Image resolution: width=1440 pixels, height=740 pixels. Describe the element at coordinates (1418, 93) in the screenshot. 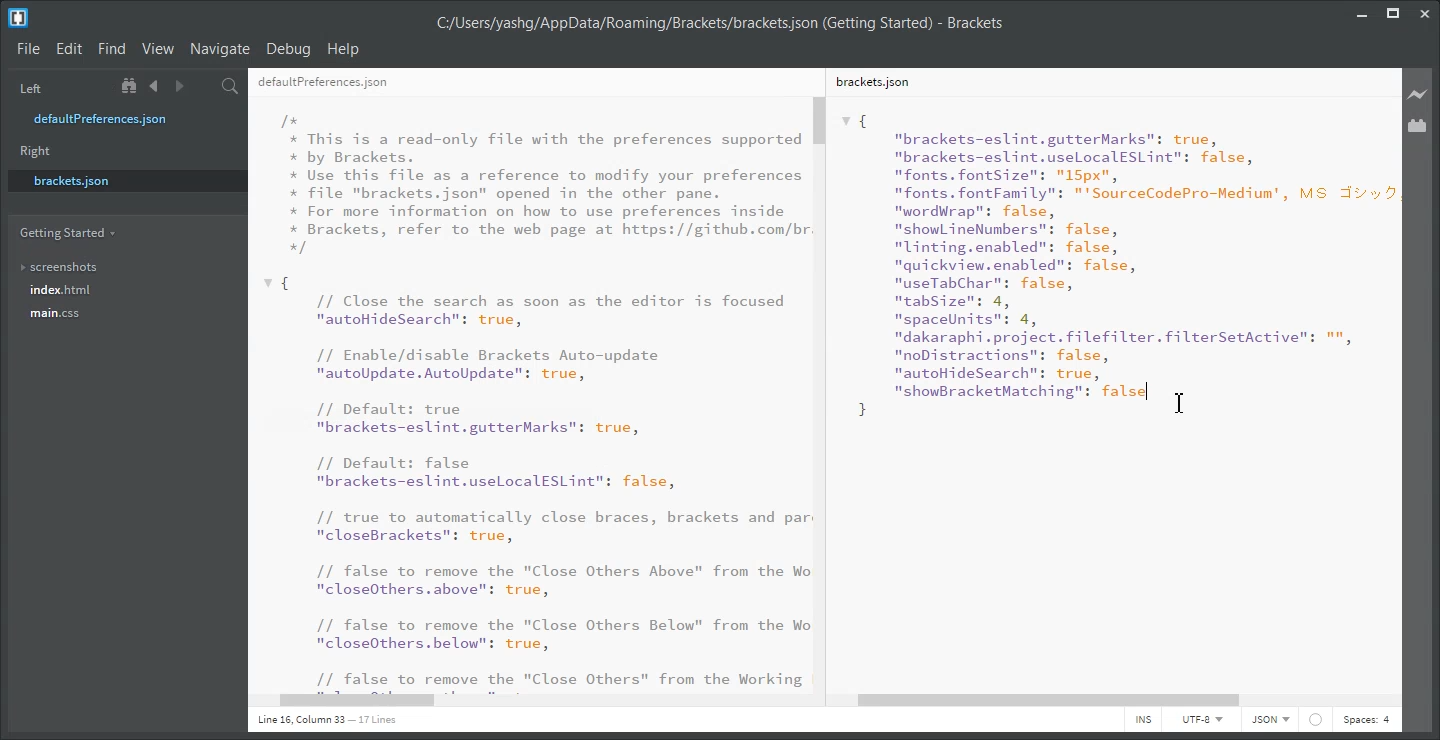

I see `Live Preview` at that location.